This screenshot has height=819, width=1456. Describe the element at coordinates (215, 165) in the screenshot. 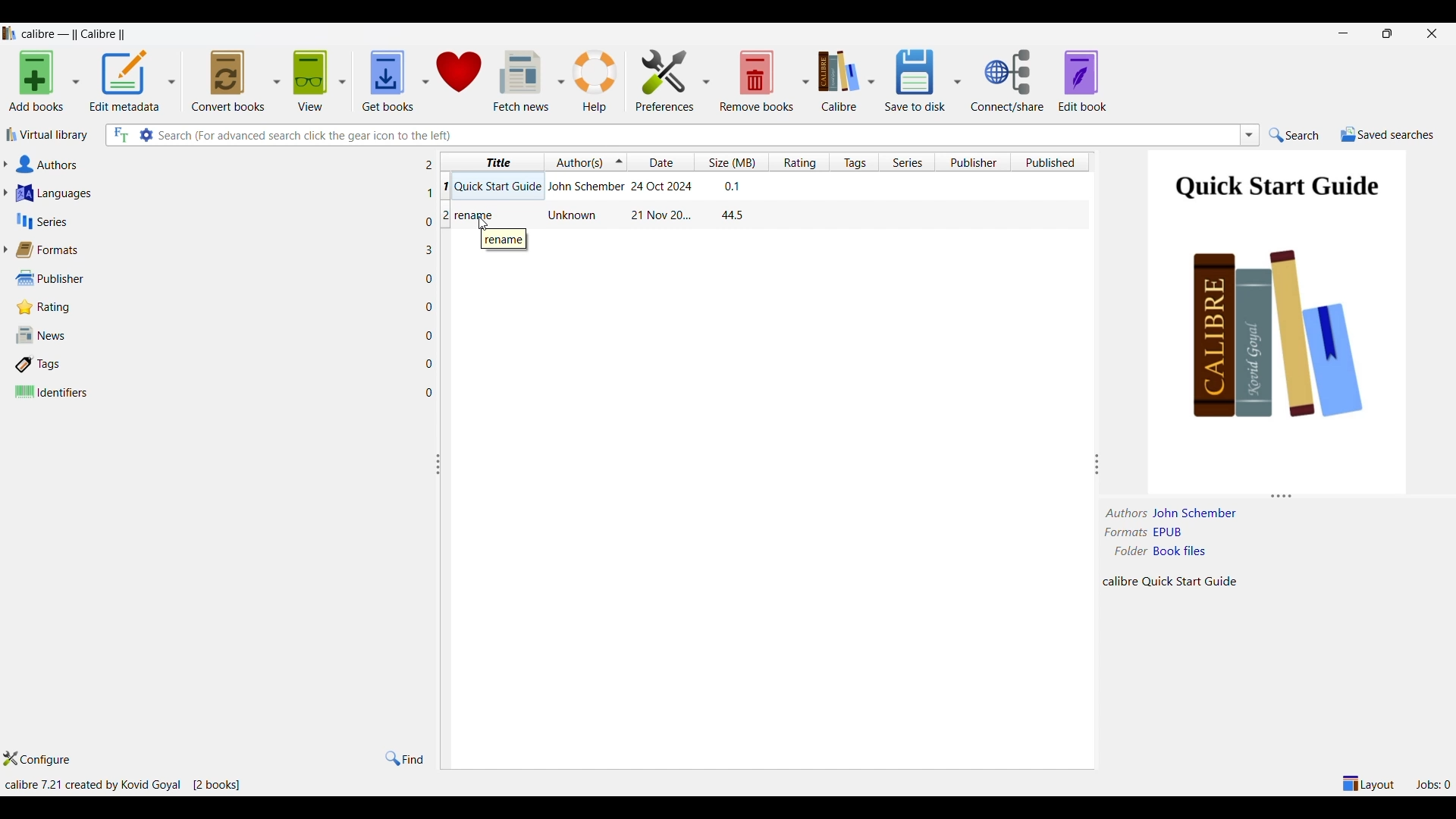

I see `Authors` at that location.